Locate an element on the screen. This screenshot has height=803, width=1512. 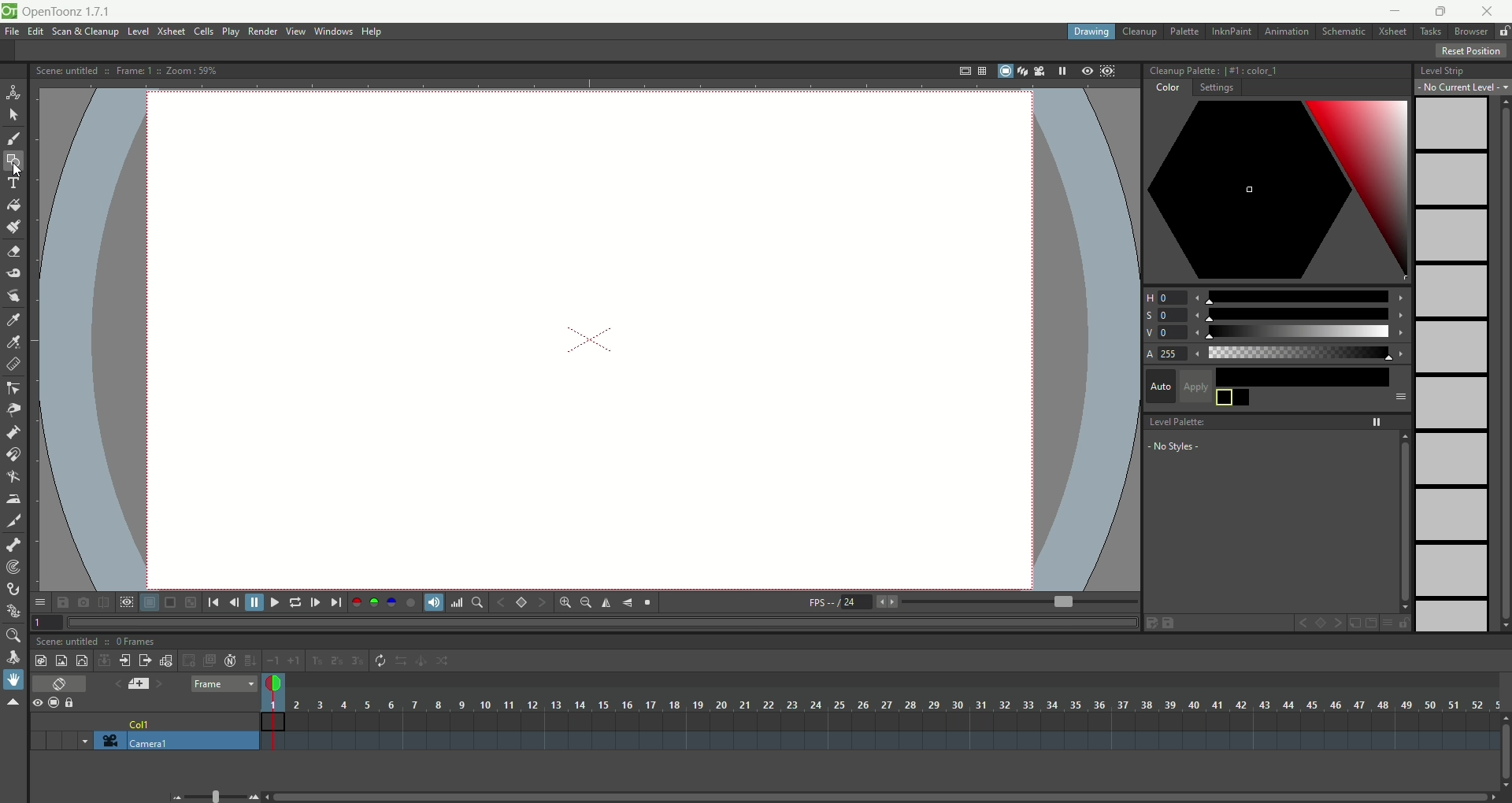
black background is located at coordinates (170, 603).